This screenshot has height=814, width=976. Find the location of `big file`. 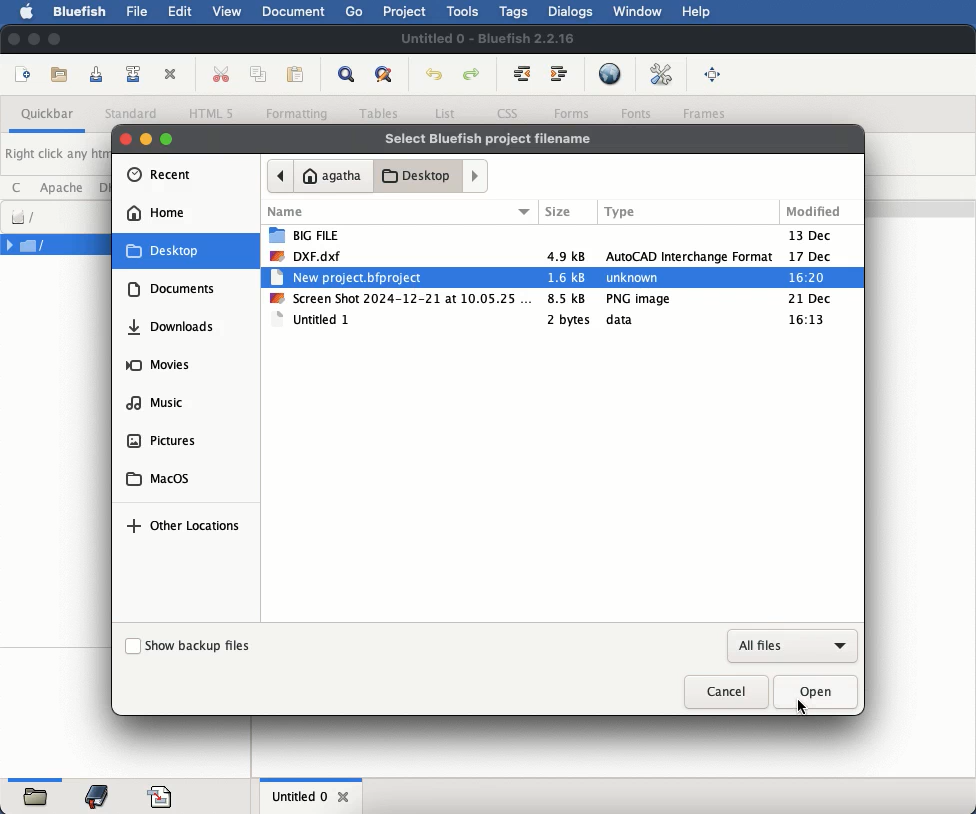

big file is located at coordinates (306, 235).